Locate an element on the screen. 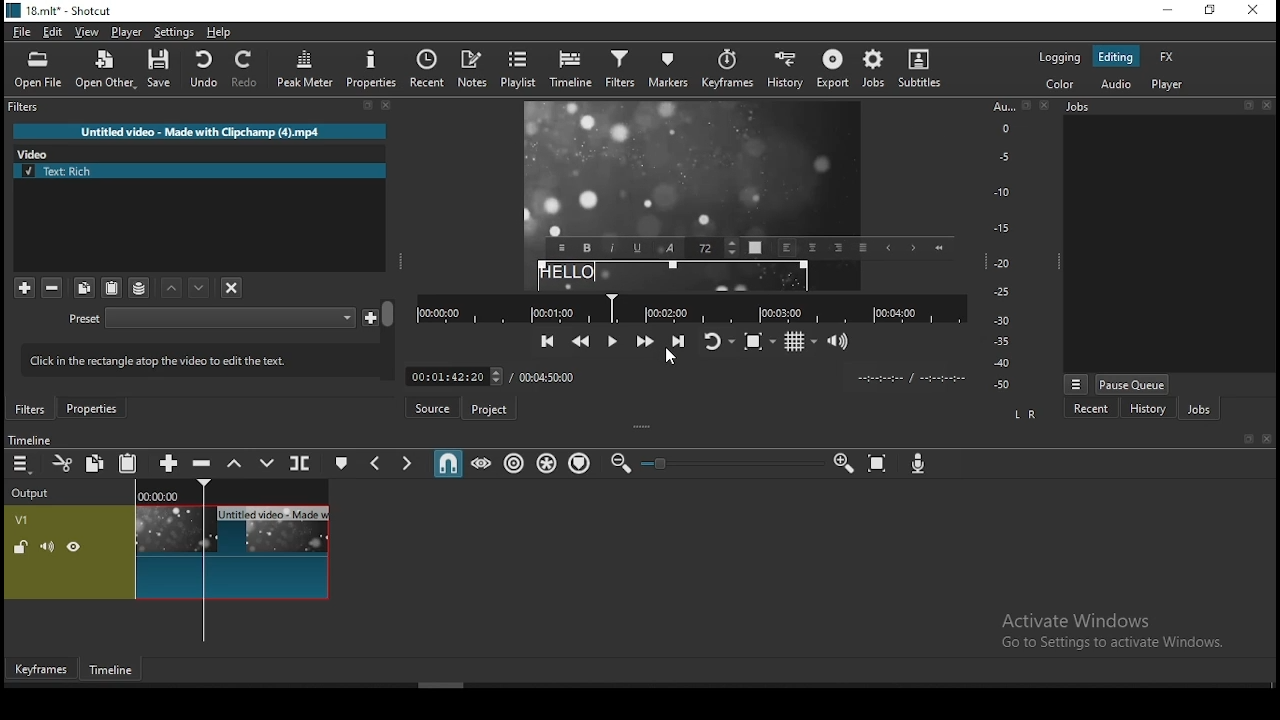 Image resolution: width=1280 pixels, height=720 pixels. Close is located at coordinates (1266, 439).